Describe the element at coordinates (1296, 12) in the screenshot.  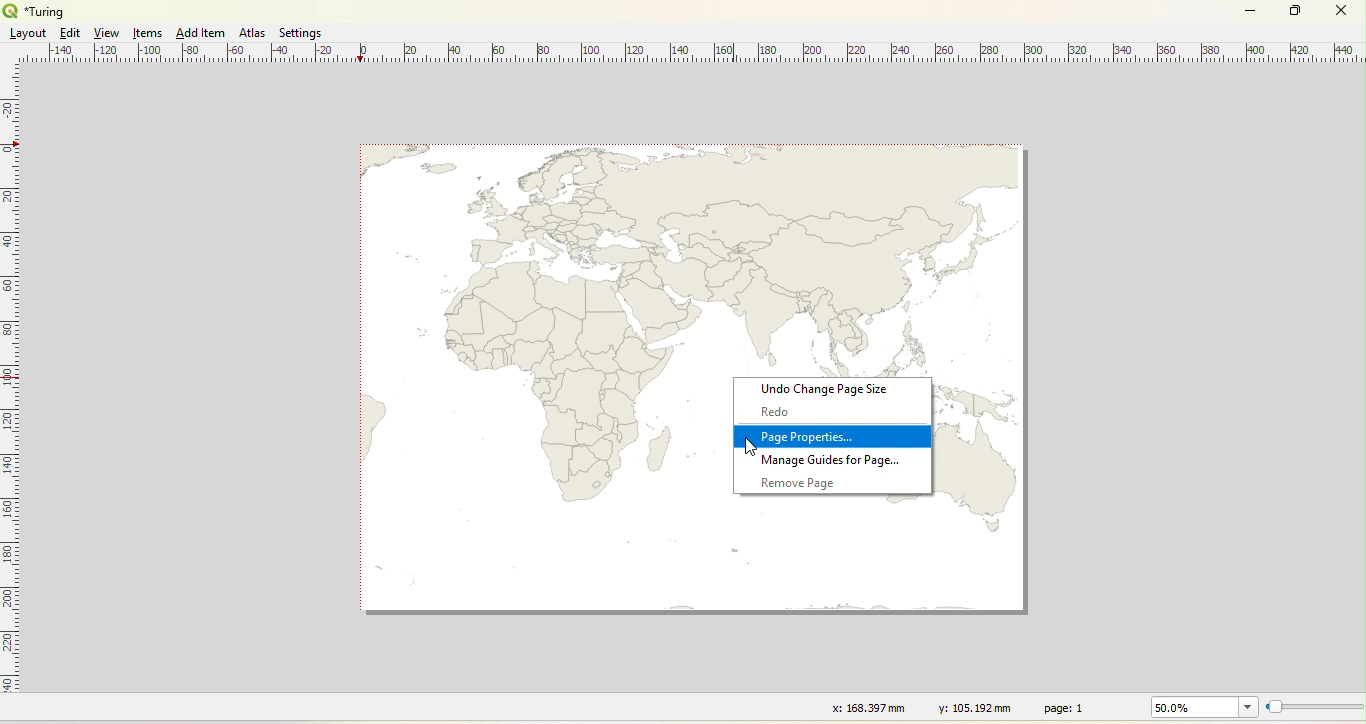
I see `Maximize` at that location.